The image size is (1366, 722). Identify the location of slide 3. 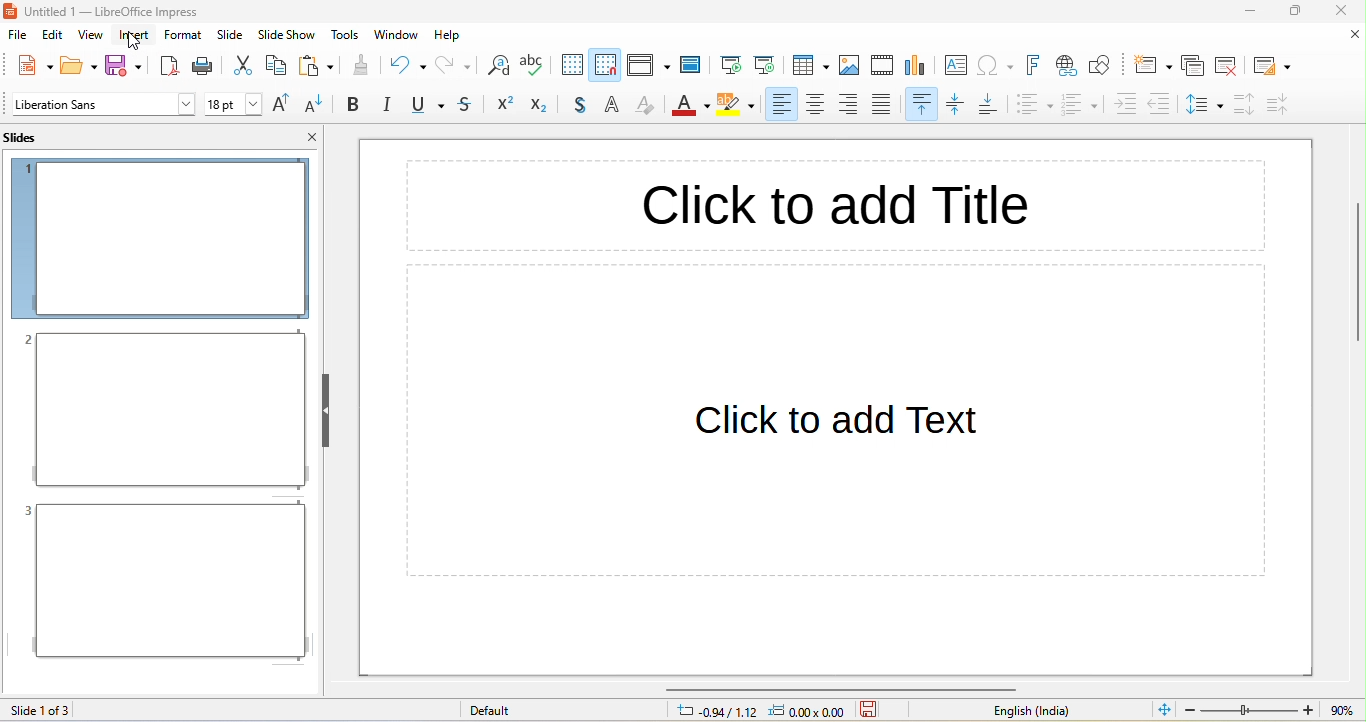
(163, 581).